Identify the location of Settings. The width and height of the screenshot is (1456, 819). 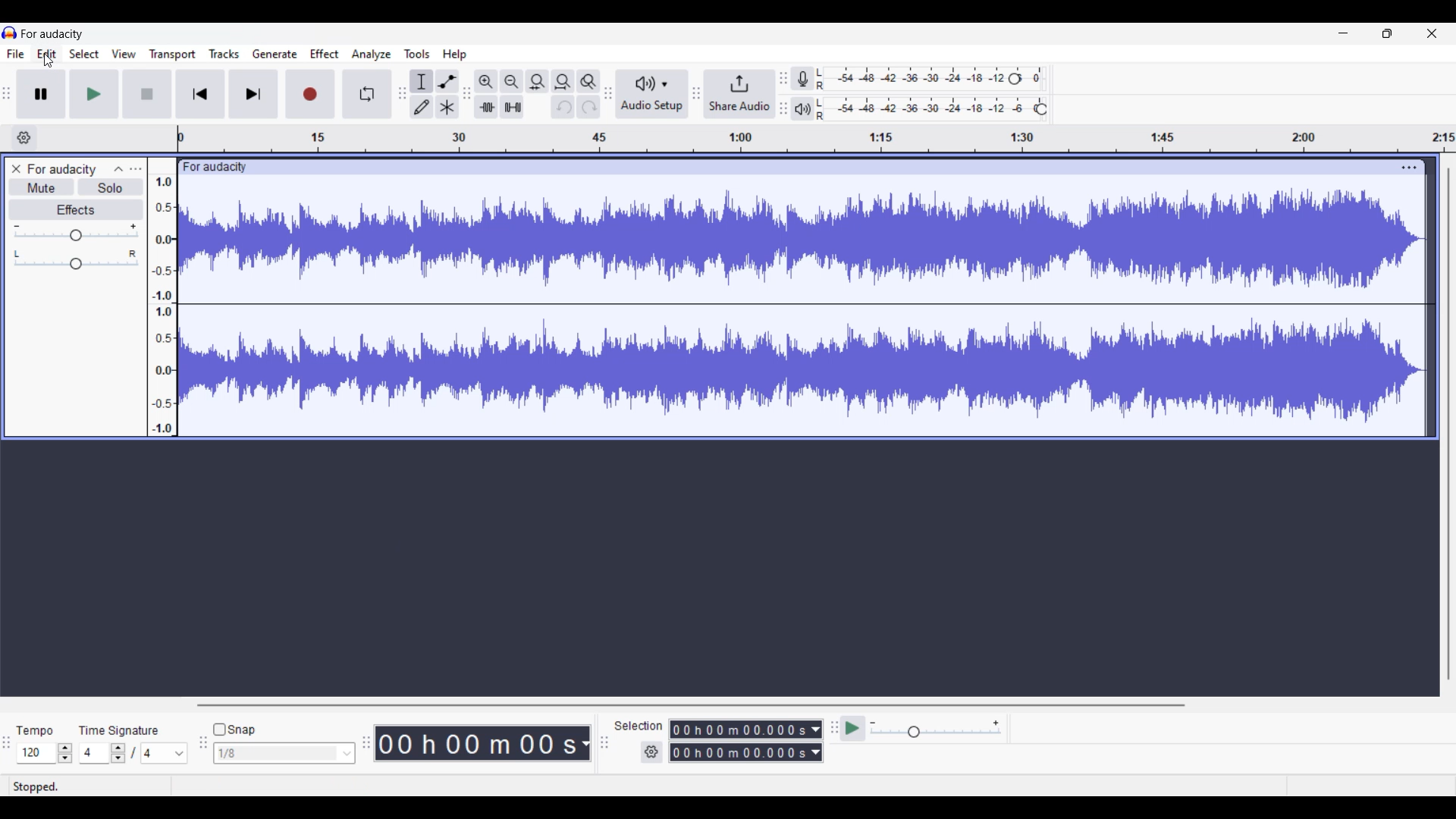
(651, 752).